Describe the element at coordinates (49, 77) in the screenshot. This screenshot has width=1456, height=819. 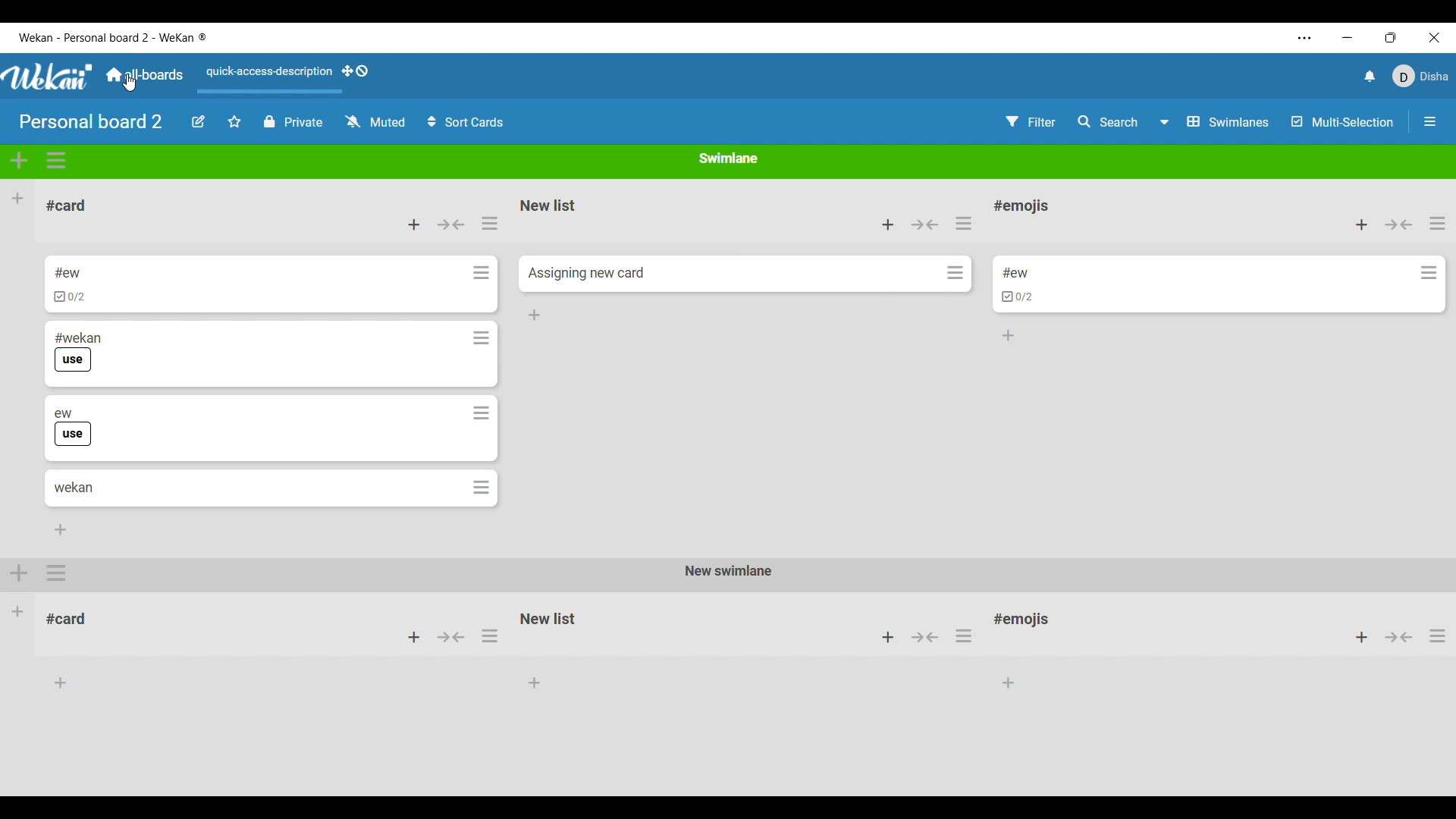
I see `Software logo` at that location.